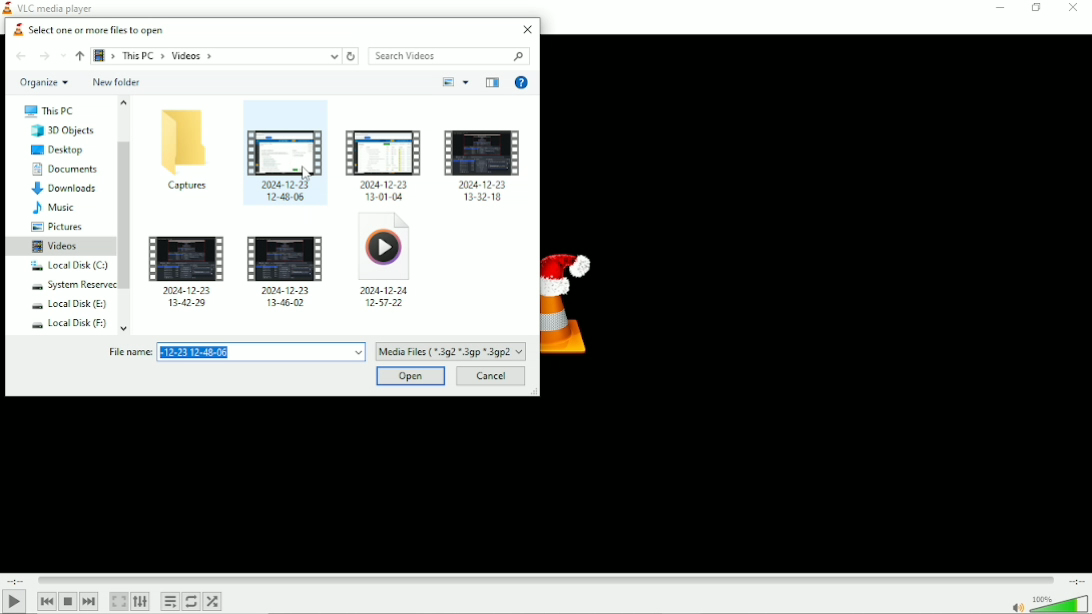 This screenshot has width=1092, height=614. Describe the element at coordinates (1076, 581) in the screenshot. I see `Total duration` at that location.